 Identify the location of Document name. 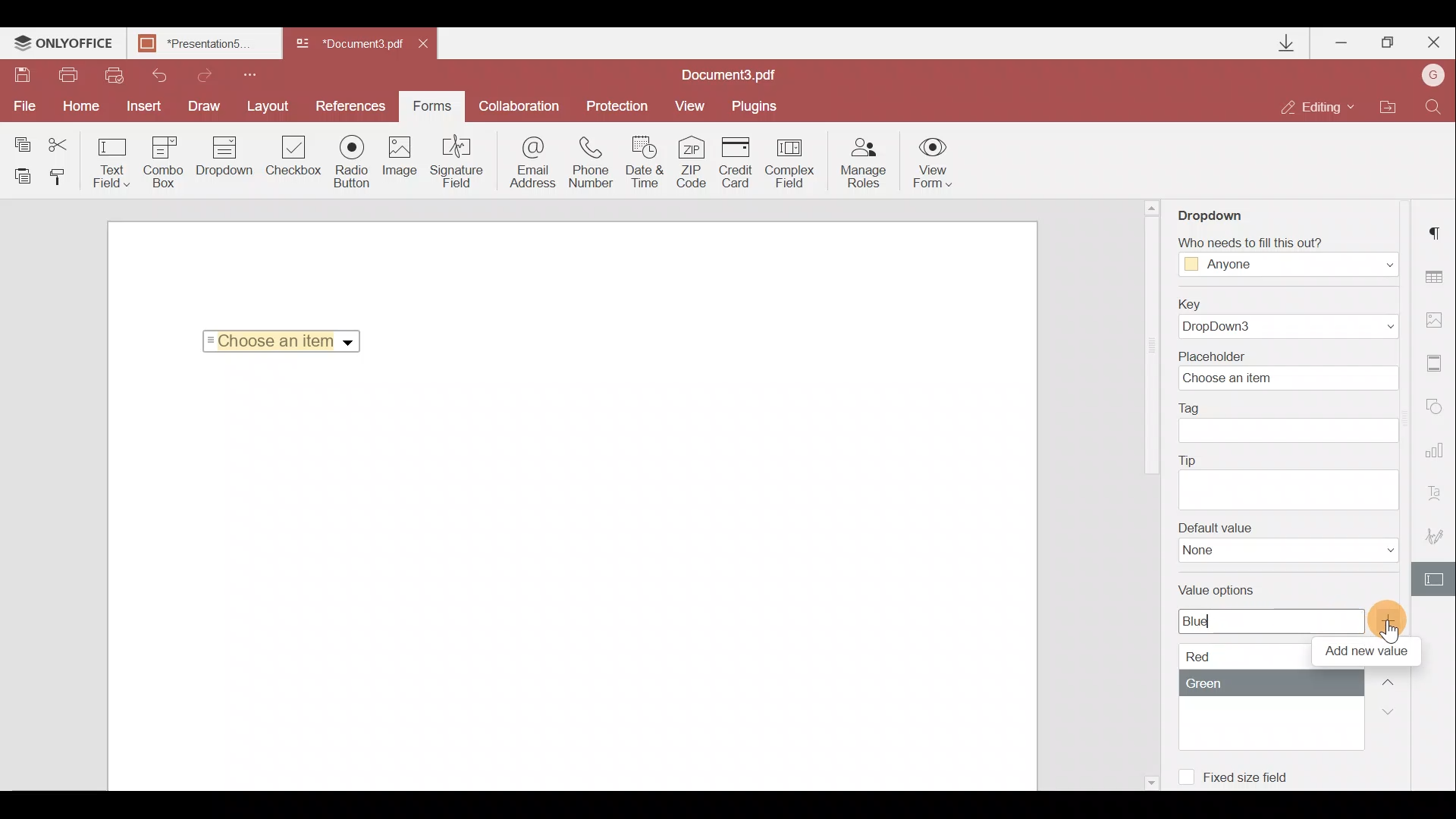
(736, 74).